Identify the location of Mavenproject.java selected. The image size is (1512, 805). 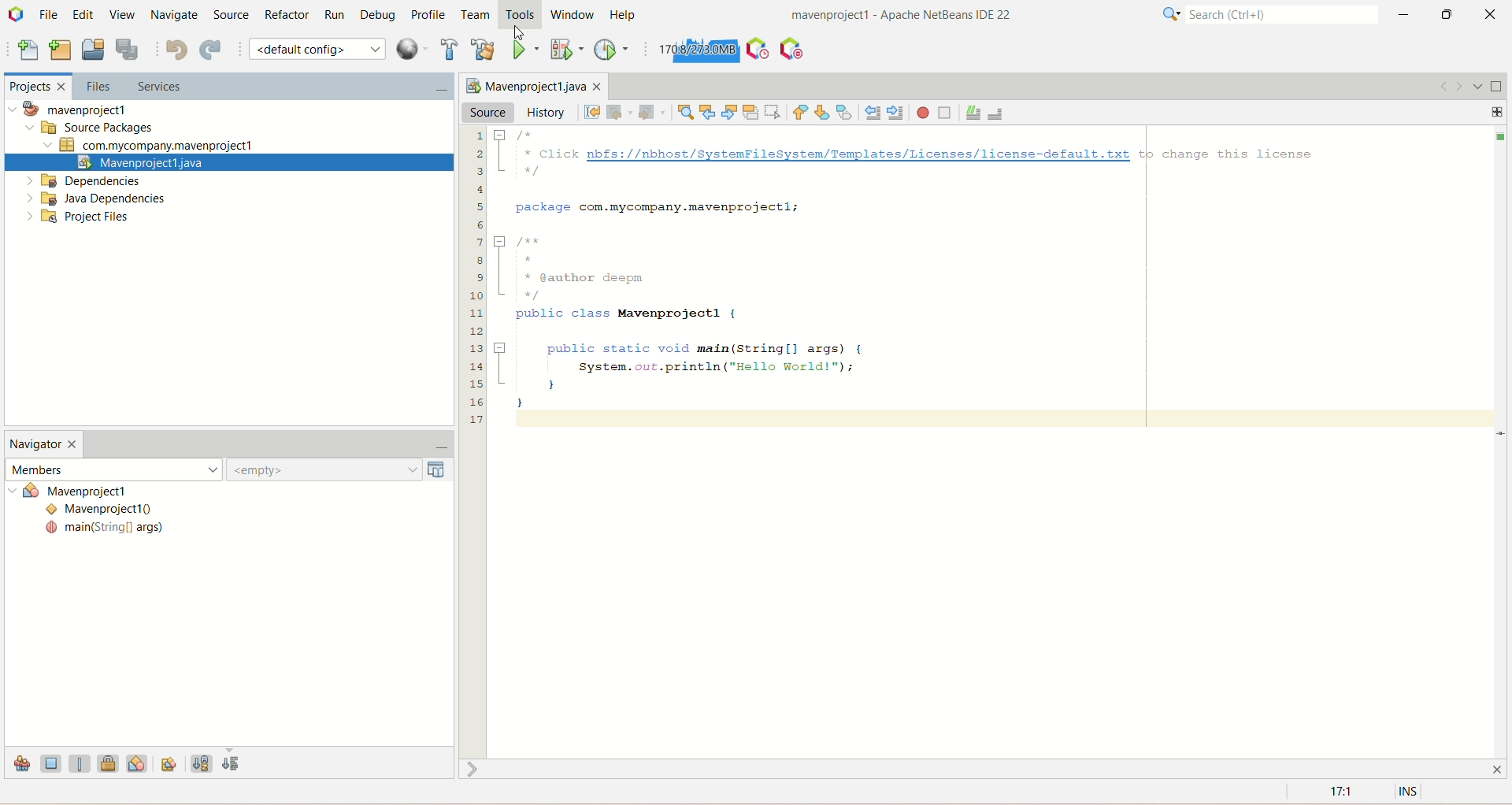
(230, 163).